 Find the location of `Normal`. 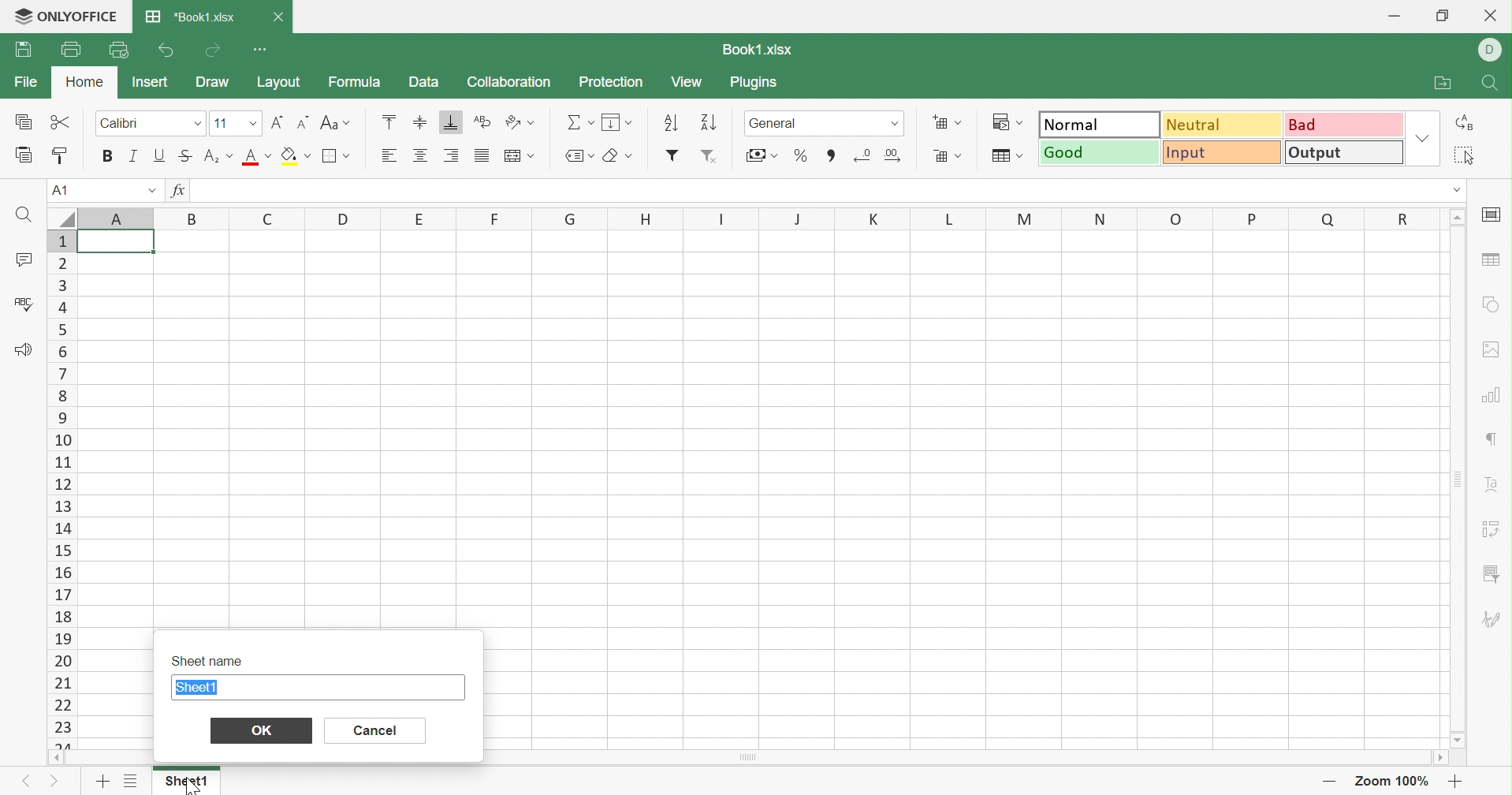

Normal is located at coordinates (1099, 125).